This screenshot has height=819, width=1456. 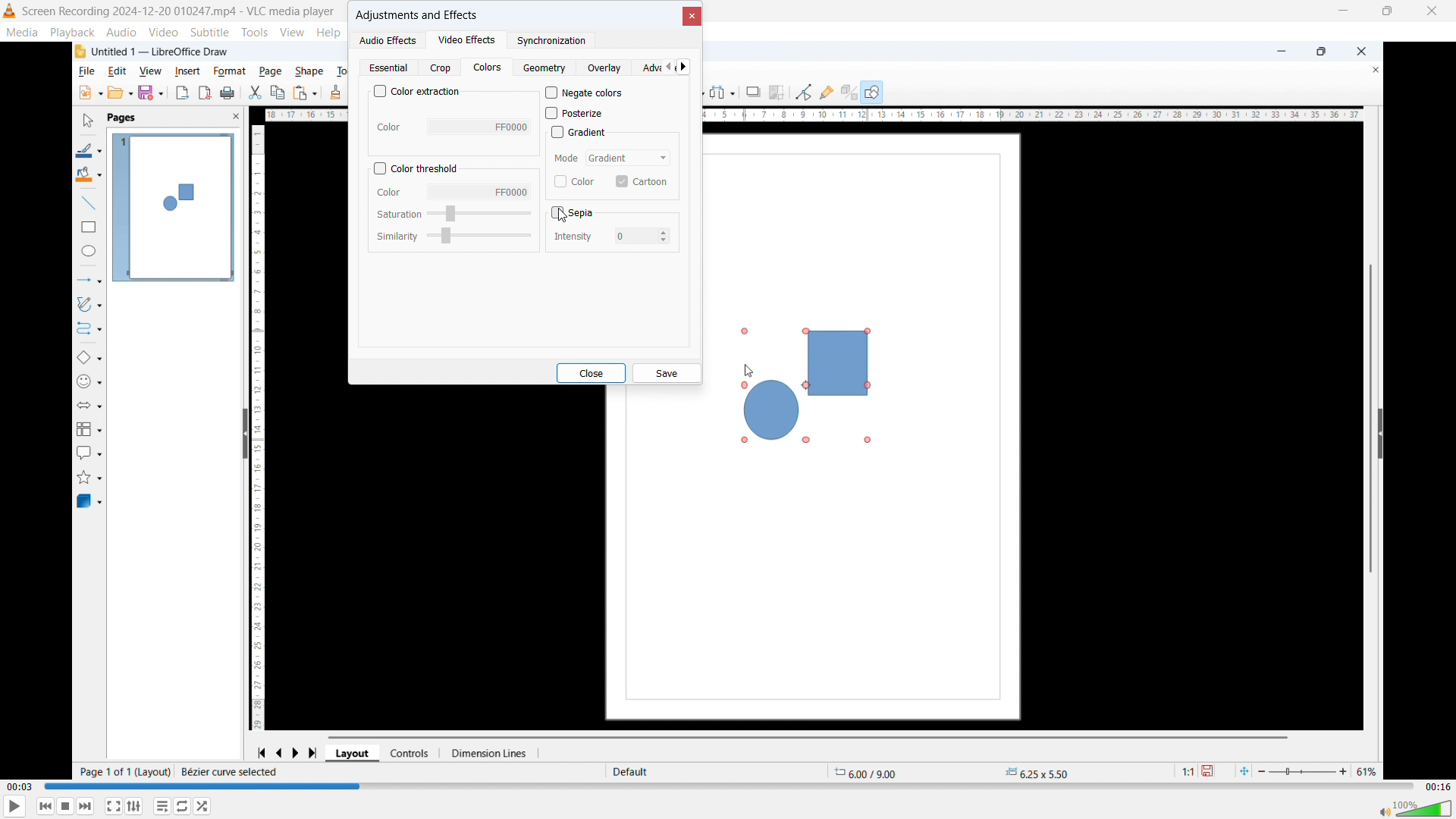 What do you see at coordinates (728, 785) in the screenshot?
I see `Time bar ` at bounding box center [728, 785].